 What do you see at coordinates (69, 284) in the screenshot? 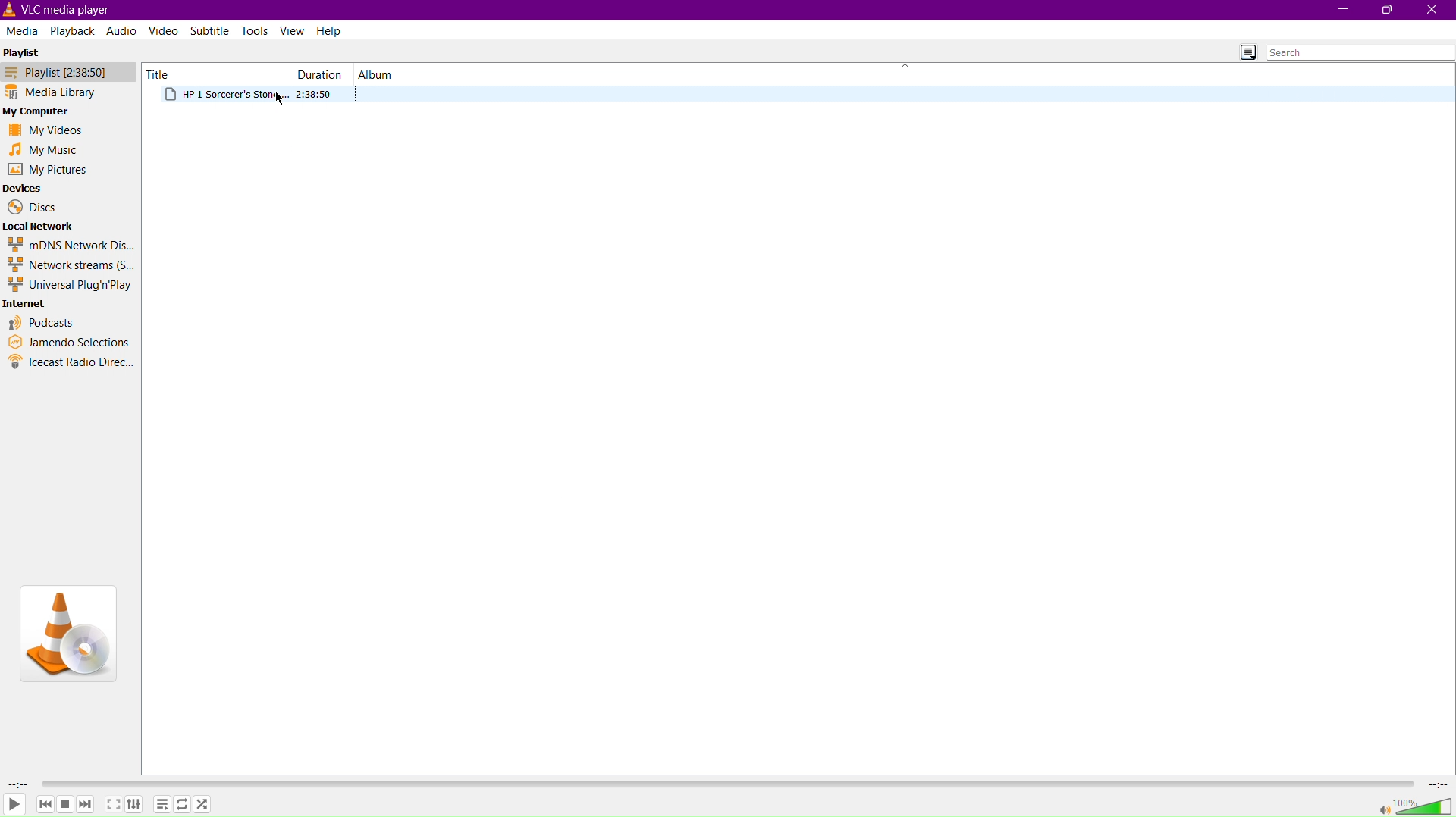
I see `Universal Plug'n'Play` at bounding box center [69, 284].